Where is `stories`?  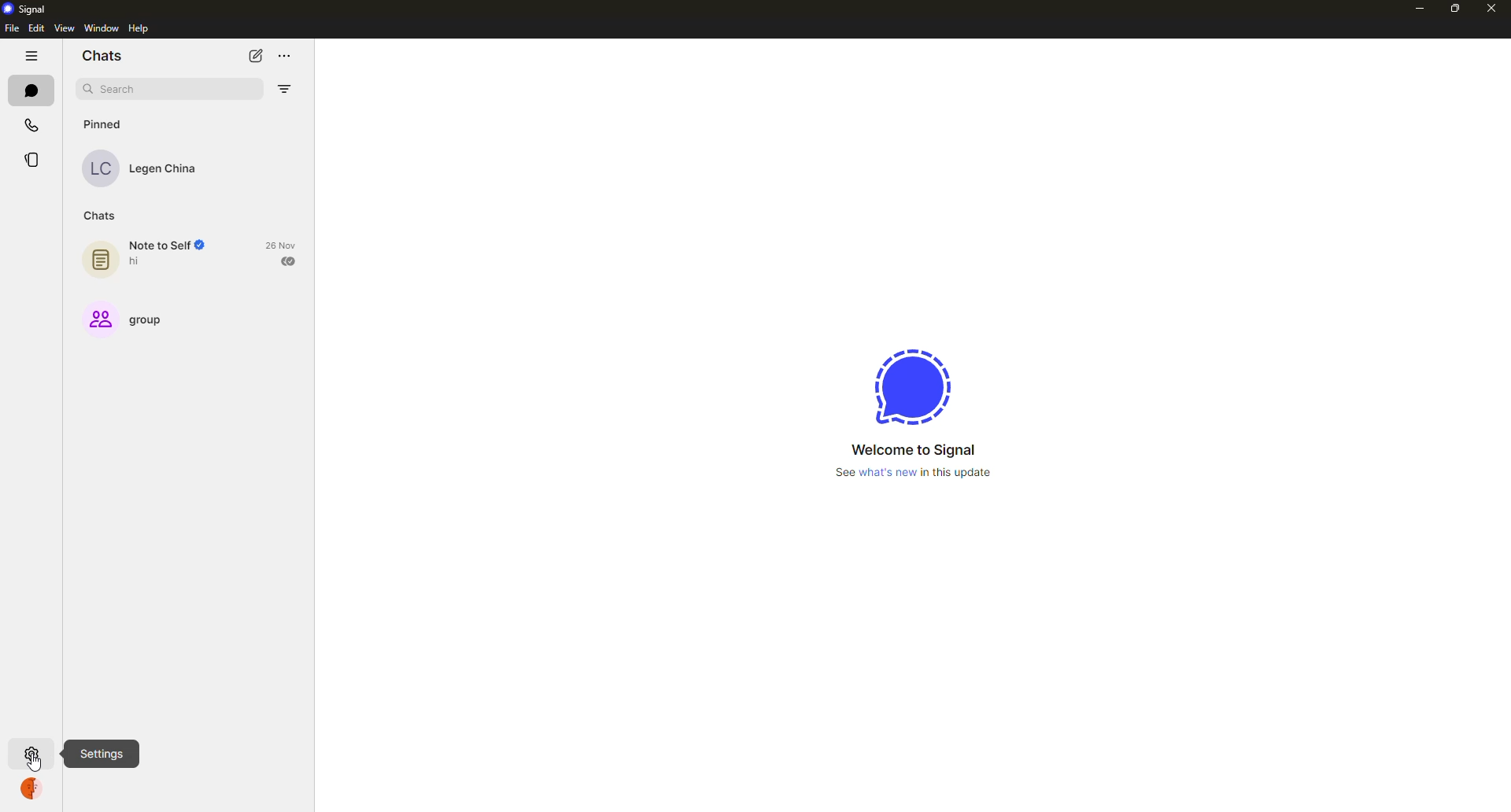
stories is located at coordinates (31, 157).